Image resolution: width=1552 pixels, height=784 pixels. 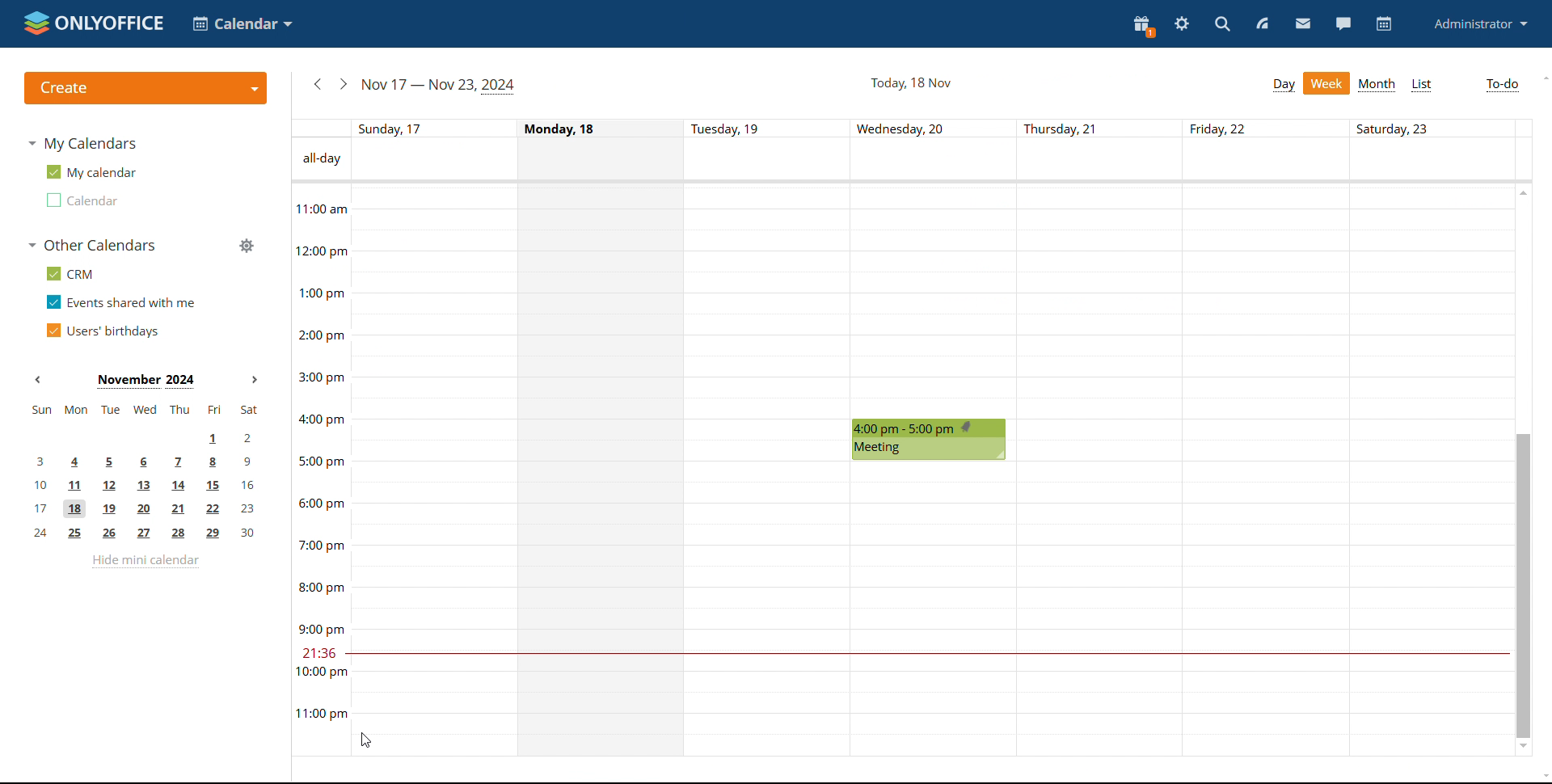 What do you see at coordinates (245, 245) in the screenshot?
I see `manage` at bounding box center [245, 245].